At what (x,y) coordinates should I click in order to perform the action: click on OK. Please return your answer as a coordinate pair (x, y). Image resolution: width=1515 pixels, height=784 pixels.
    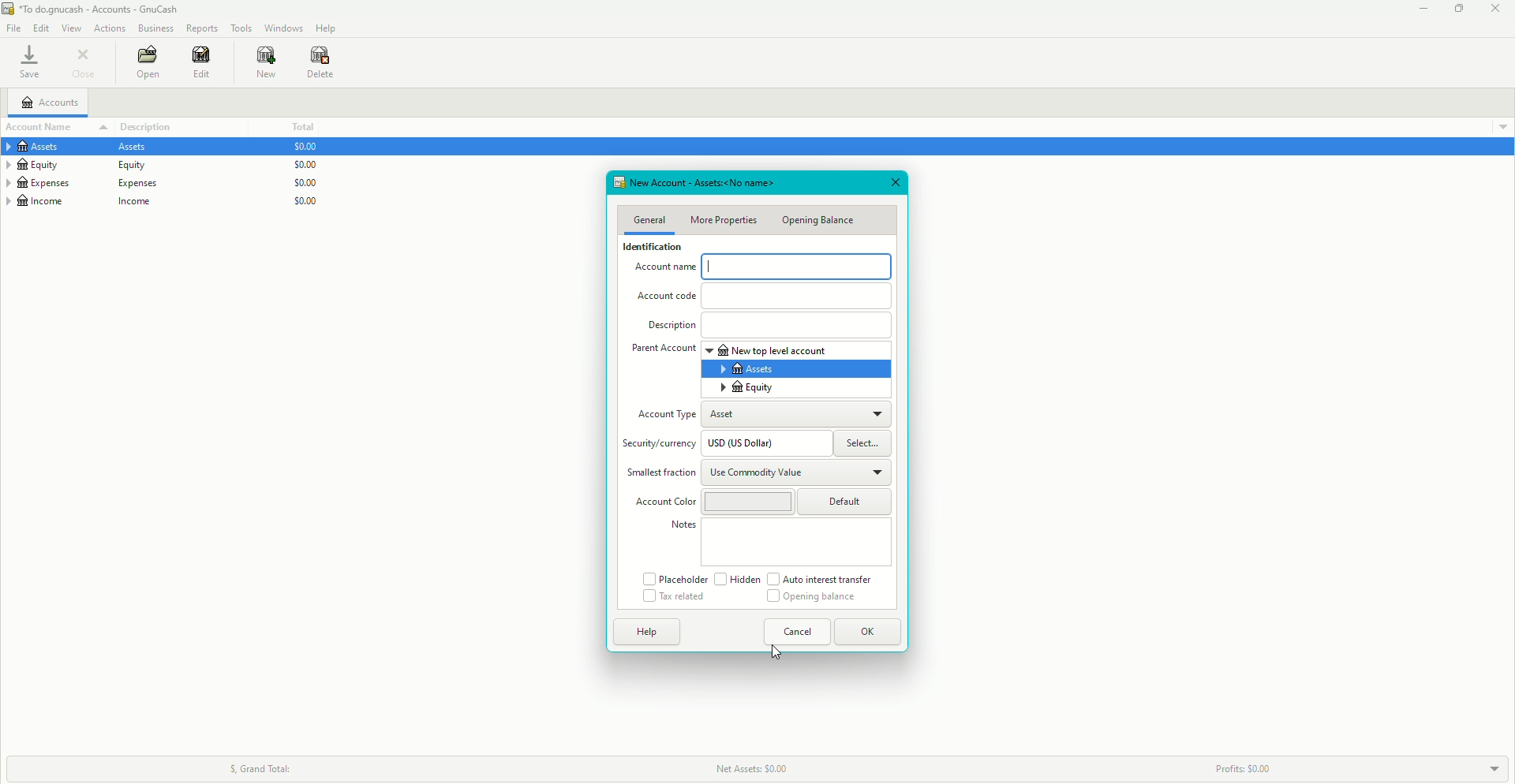
    Looking at the image, I should click on (870, 633).